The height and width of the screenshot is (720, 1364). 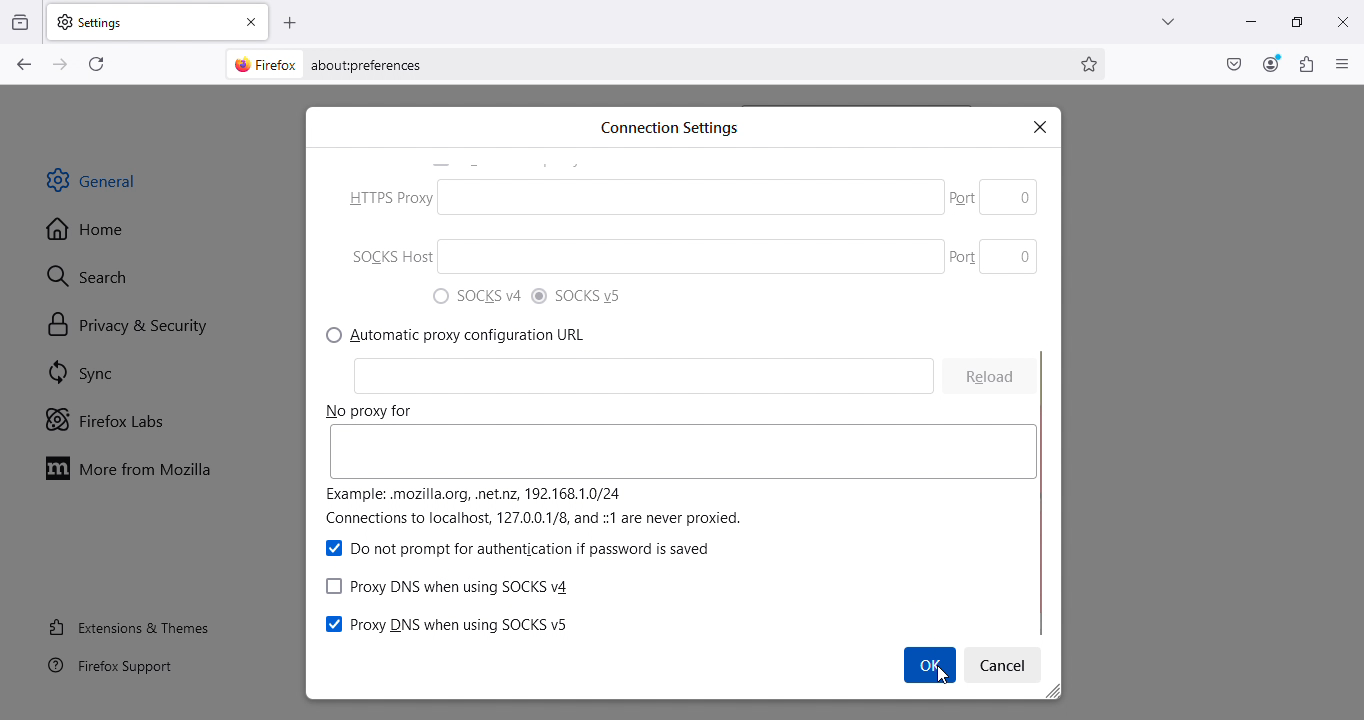 I want to click on SYnc, so click(x=89, y=376).